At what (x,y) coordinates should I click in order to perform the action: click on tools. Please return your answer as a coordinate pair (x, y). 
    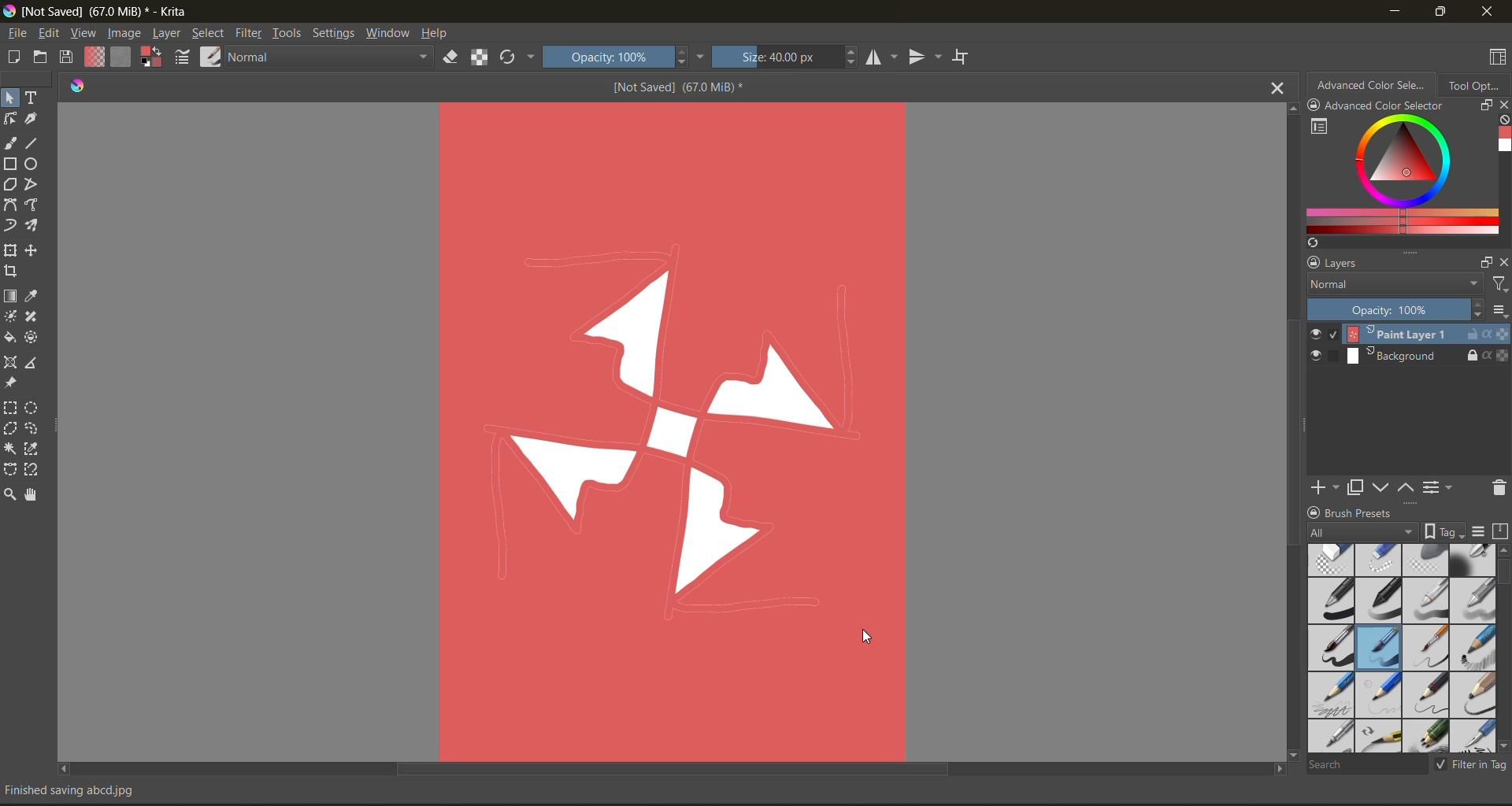
    Looking at the image, I should click on (9, 97).